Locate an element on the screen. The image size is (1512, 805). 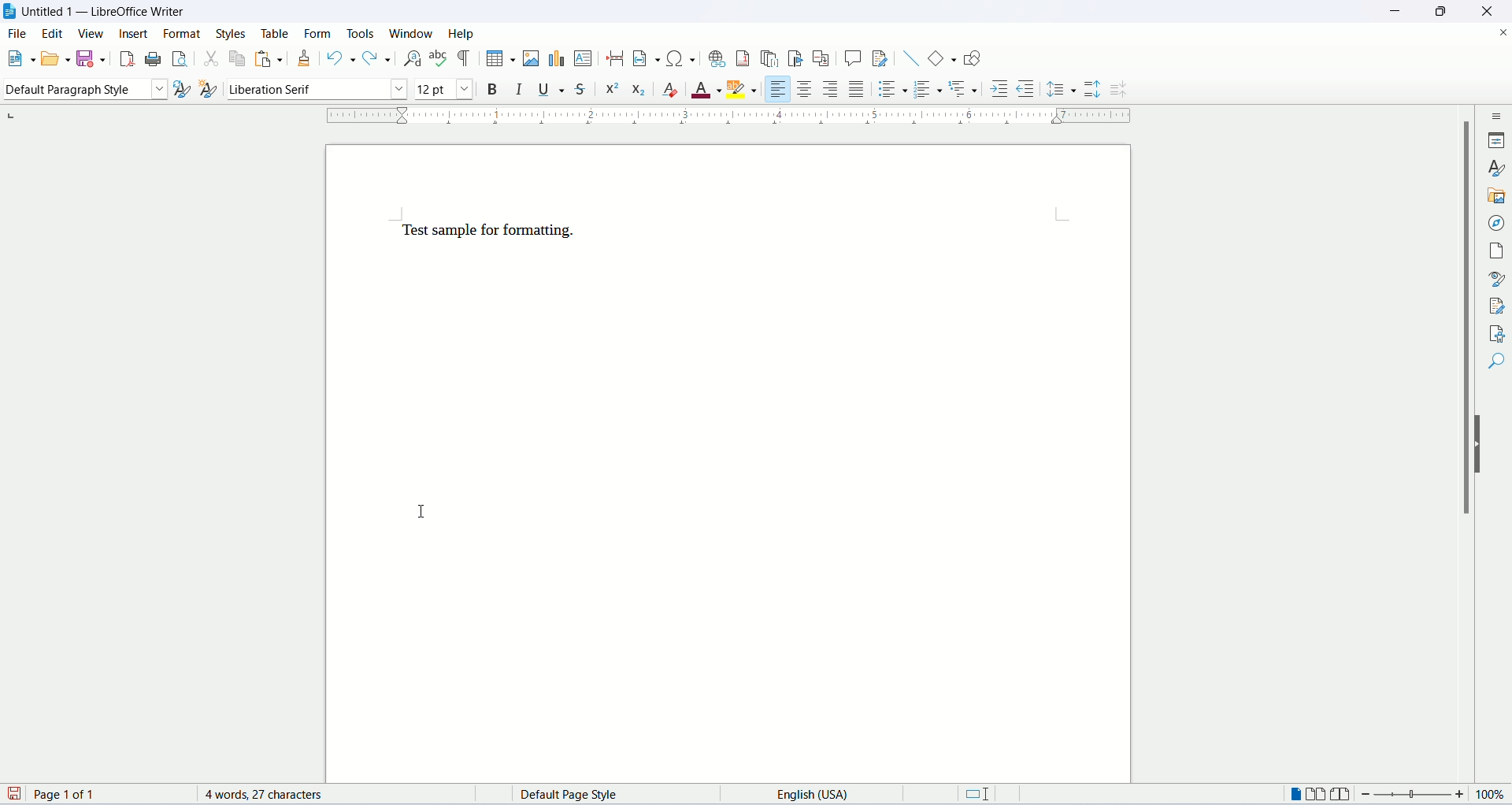
hide is located at coordinates (1480, 446).